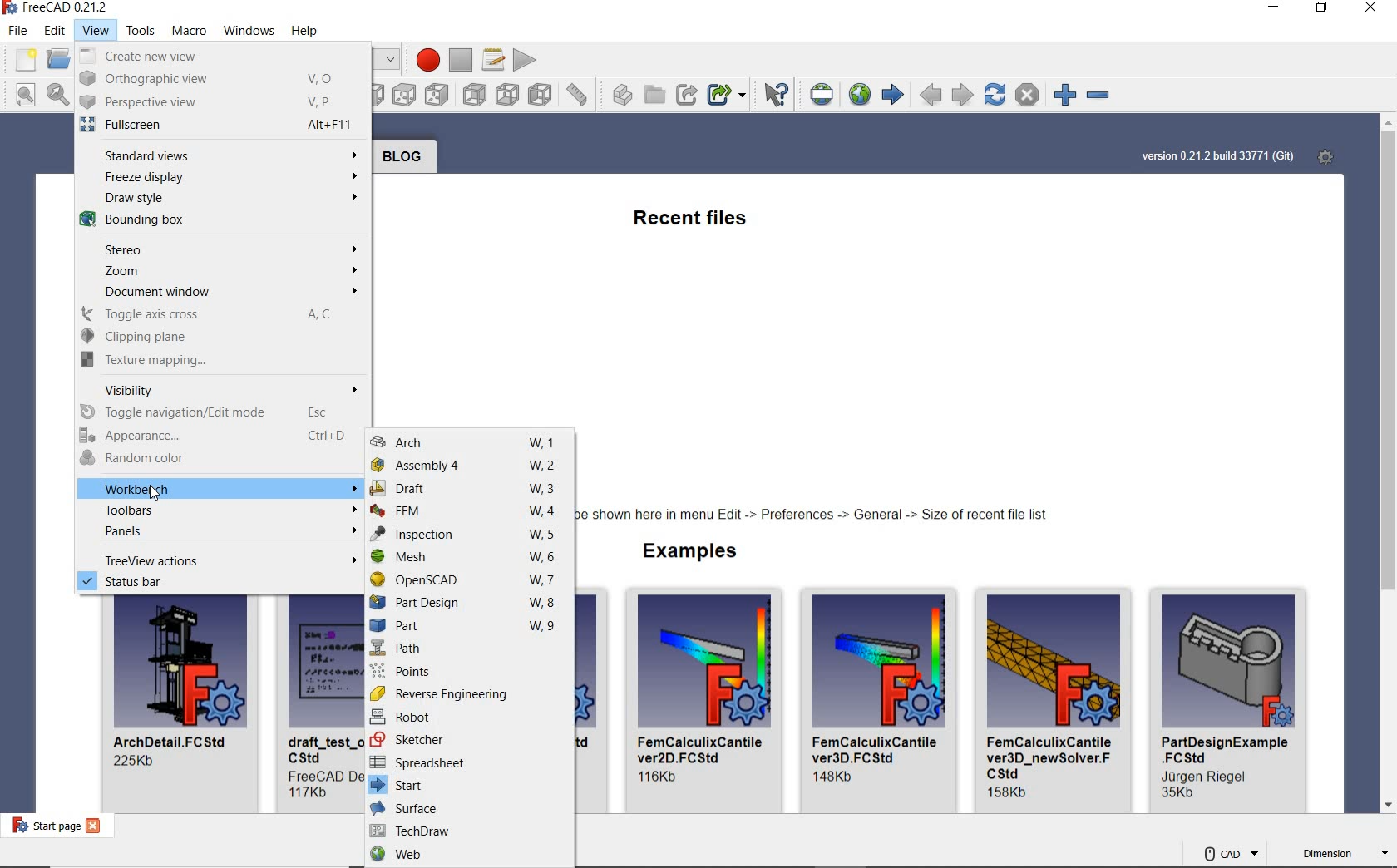  Describe the element at coordinates (94, 31) in the screenshot. I see `view` at that location.